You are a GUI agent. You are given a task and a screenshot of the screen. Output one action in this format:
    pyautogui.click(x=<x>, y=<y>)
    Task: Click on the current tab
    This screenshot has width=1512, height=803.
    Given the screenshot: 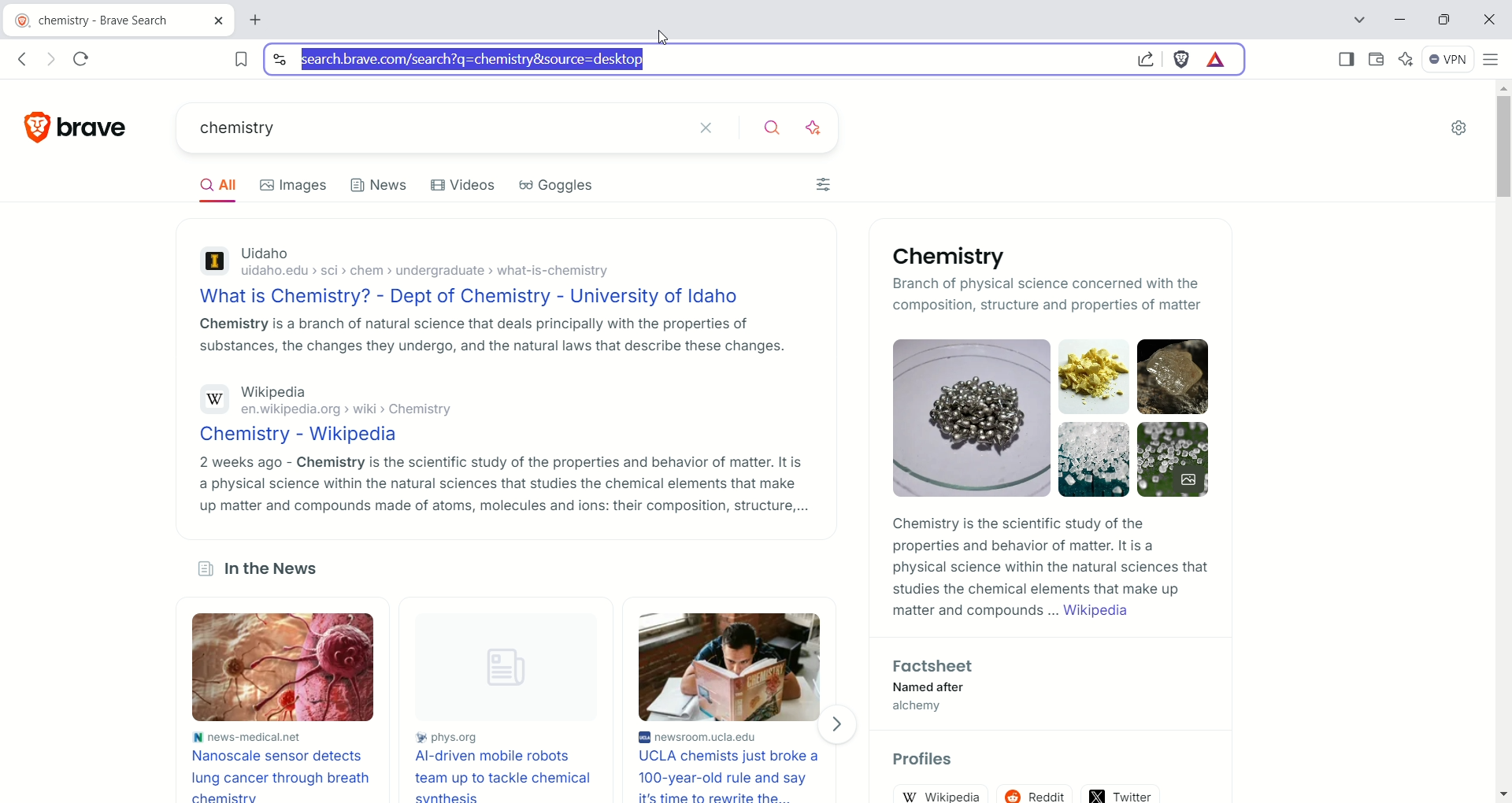 What is the action you would take?
    pyautogui.click(x=119, y=21)
    